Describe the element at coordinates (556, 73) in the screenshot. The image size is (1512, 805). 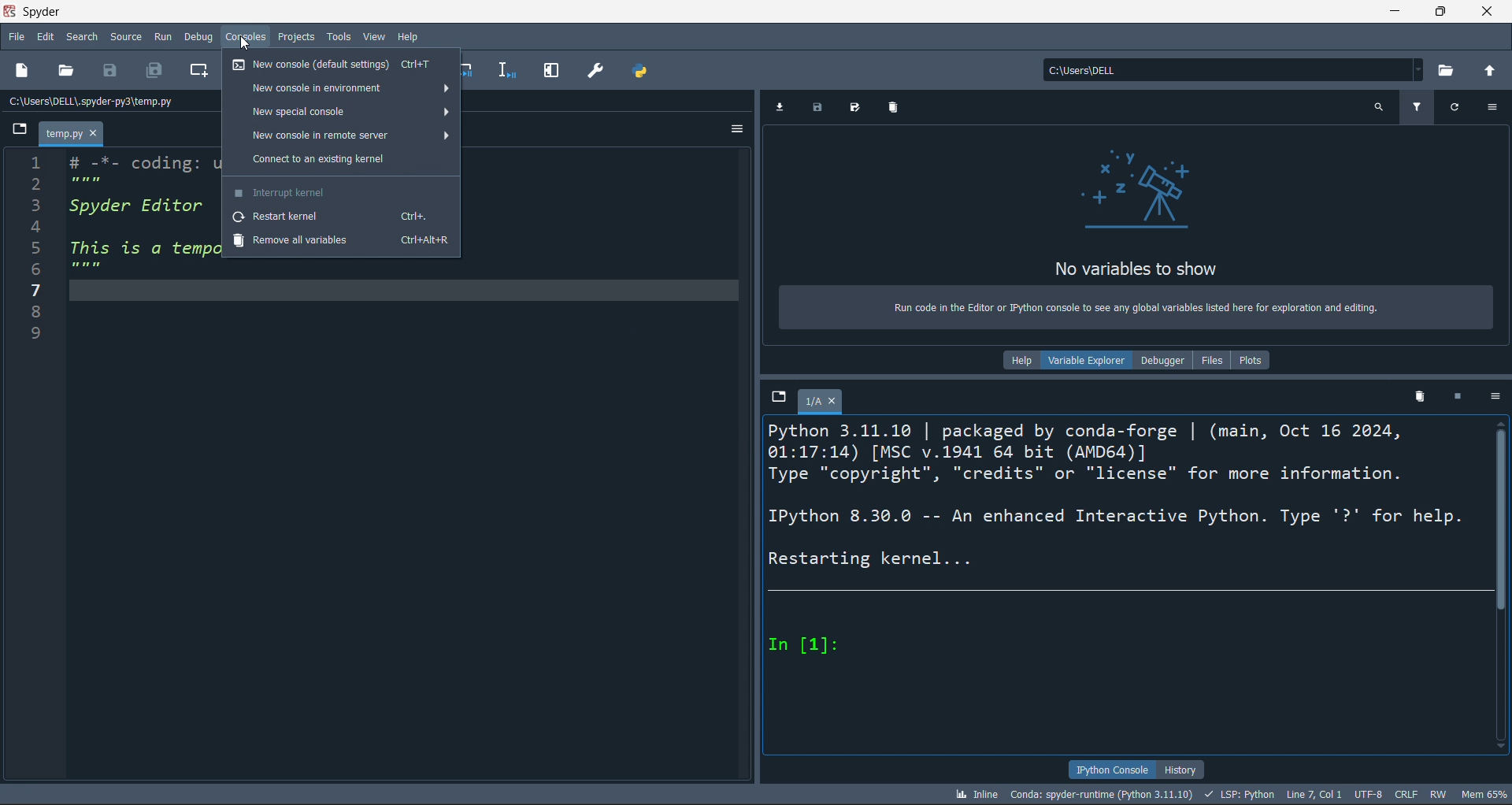
I see `expand pane` at that location.